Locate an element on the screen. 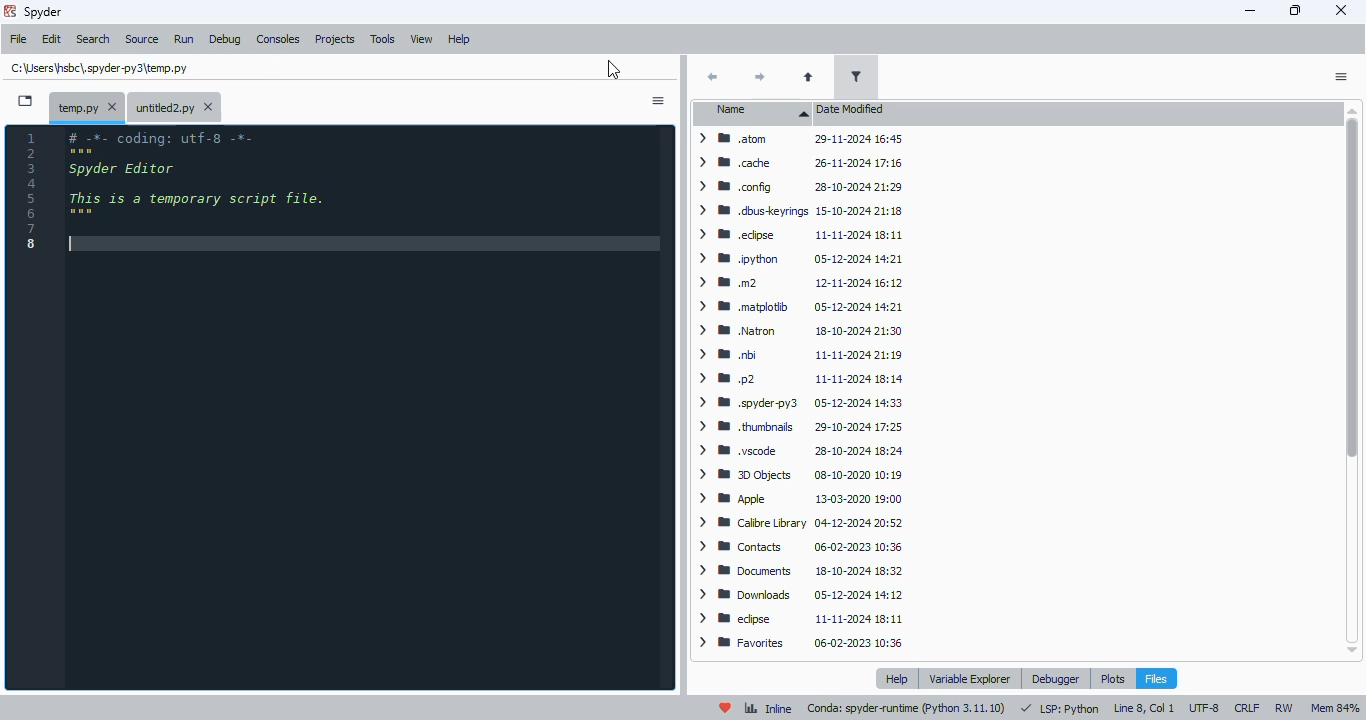 The height and width of the screenshot is (720, 1366). debugger is located at coordinates (1054, 678).